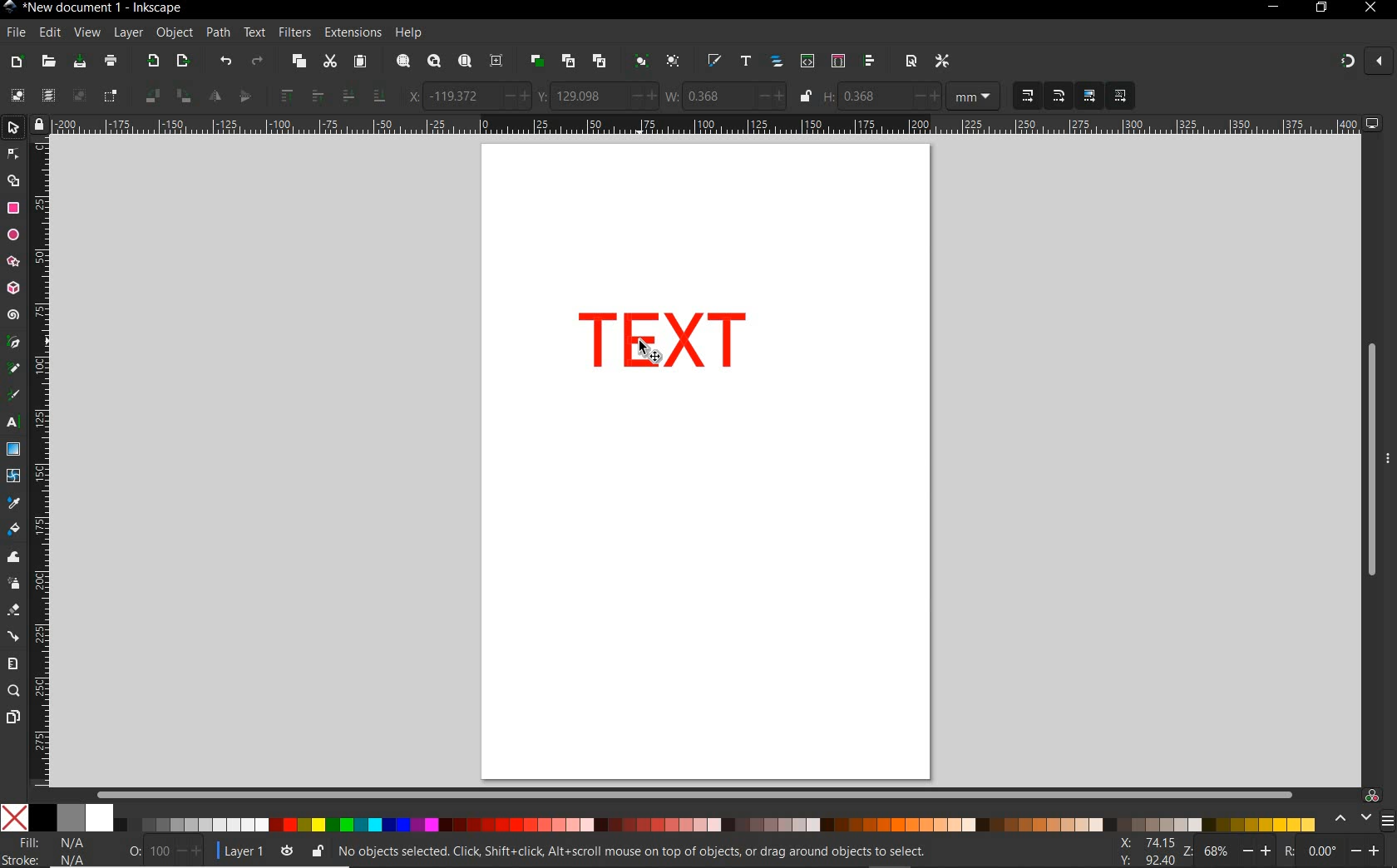 The height and width of the screenshot is (868, 1397). Describe the element at coordinates (14, 209) in the screenshot. I see `RECTANGLE TOOL` at that location.